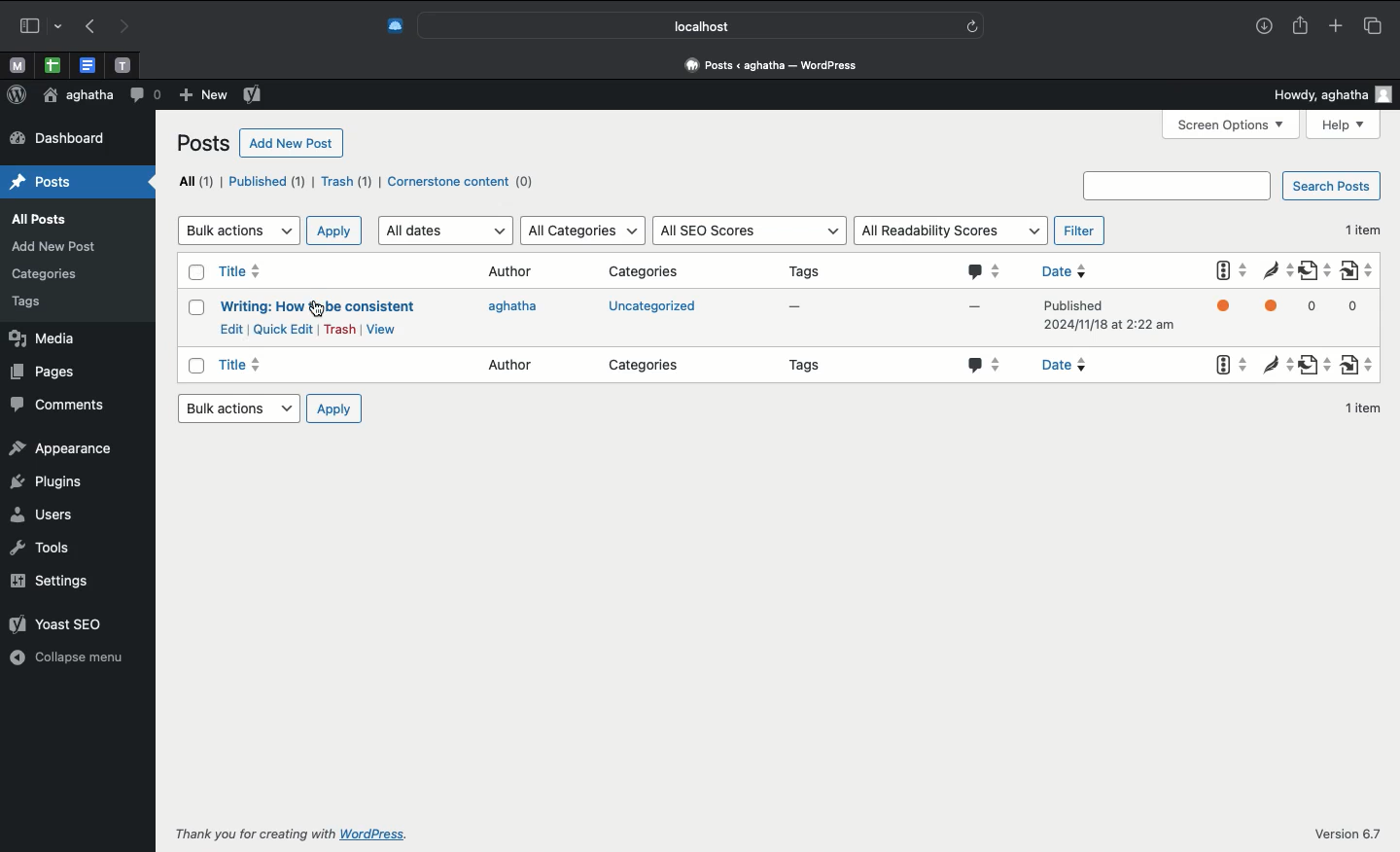 Image resolution: width=1400 pixels, height=852 pixels. Describe the element at coordinates (1277, 311) in the screenshot. I see `readability` at that location.